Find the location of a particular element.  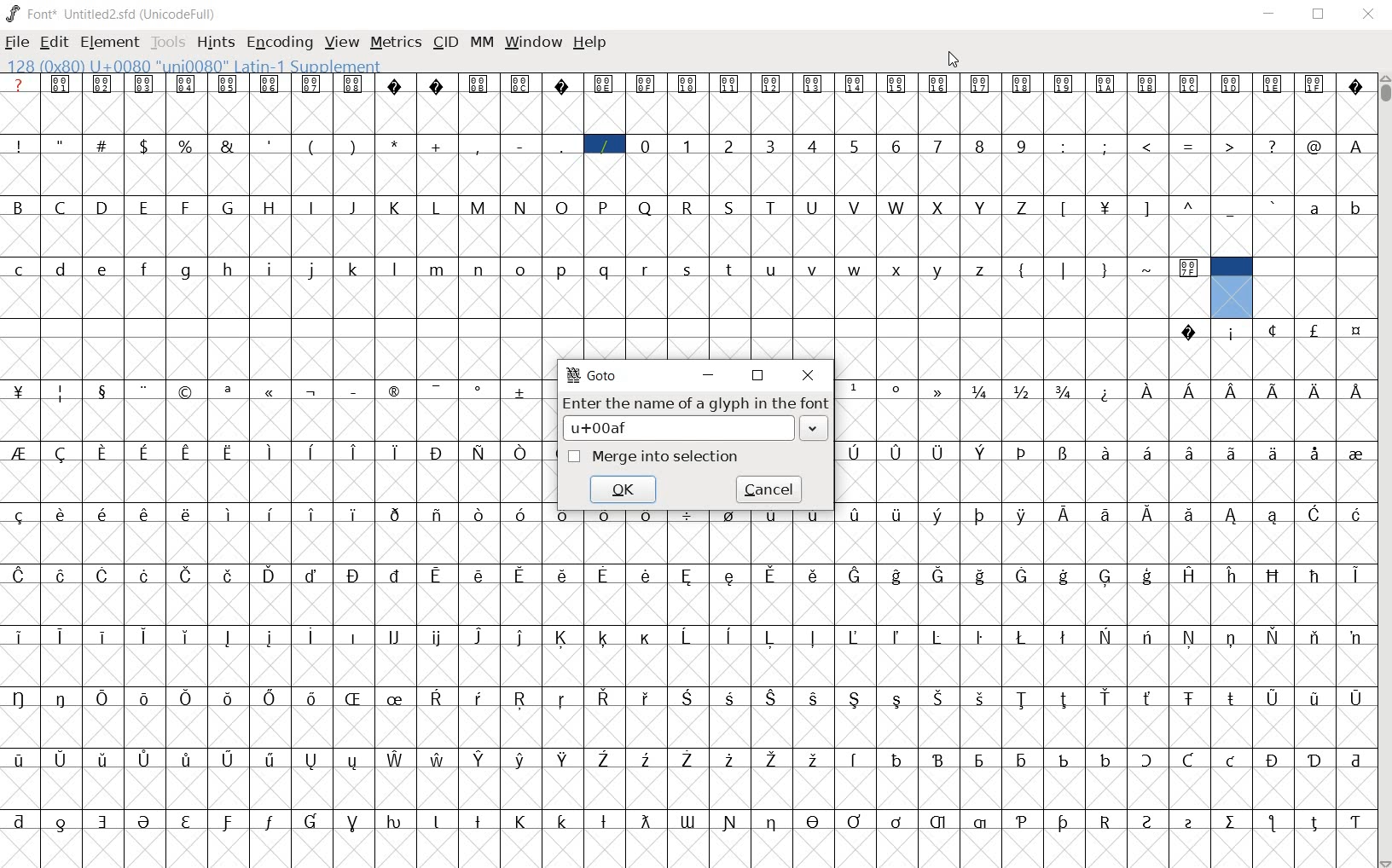

$ is located at coordinates (146, 146).